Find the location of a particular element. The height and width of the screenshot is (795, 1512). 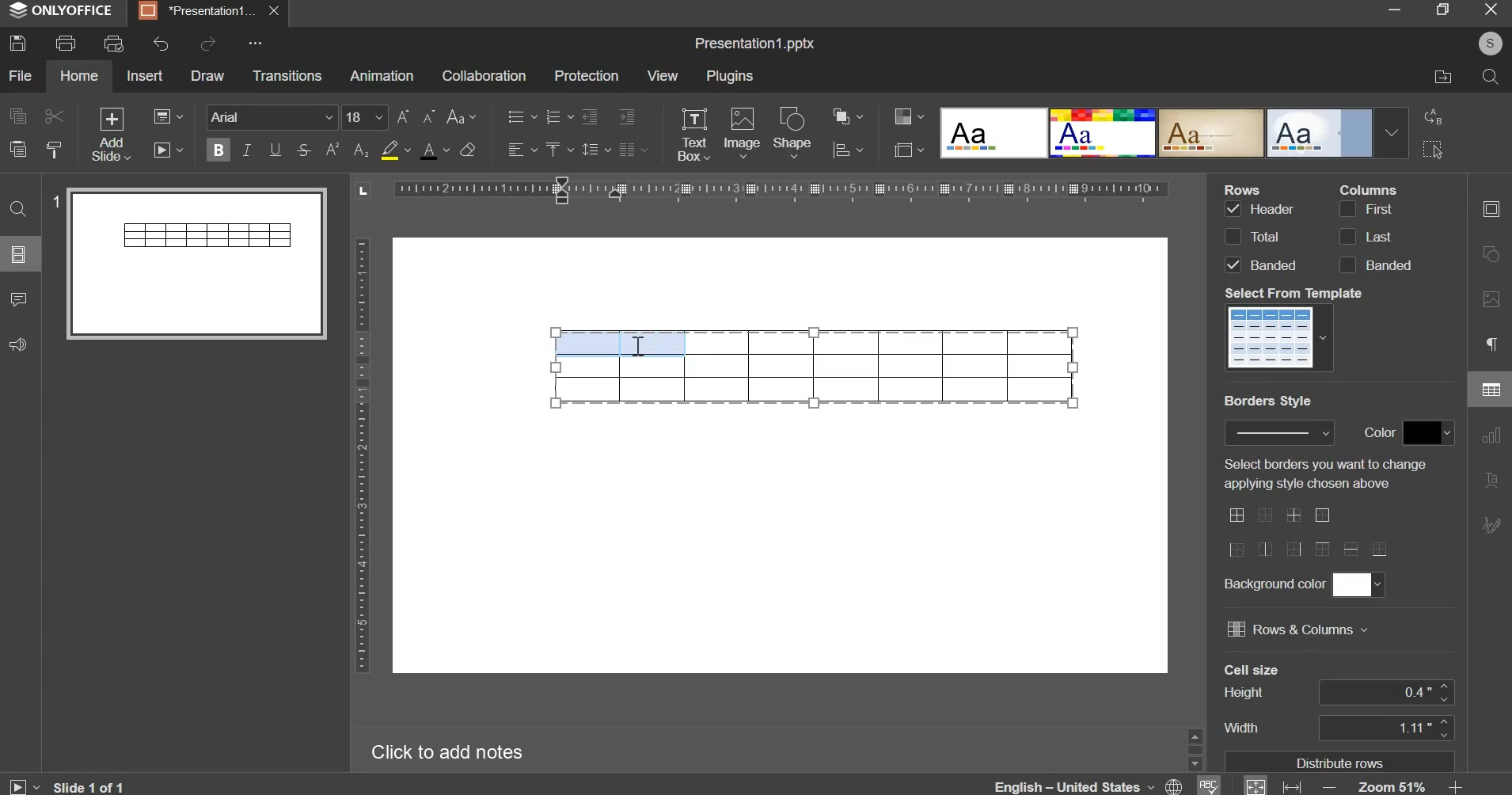

change layout is located at coordinates (167, 116).